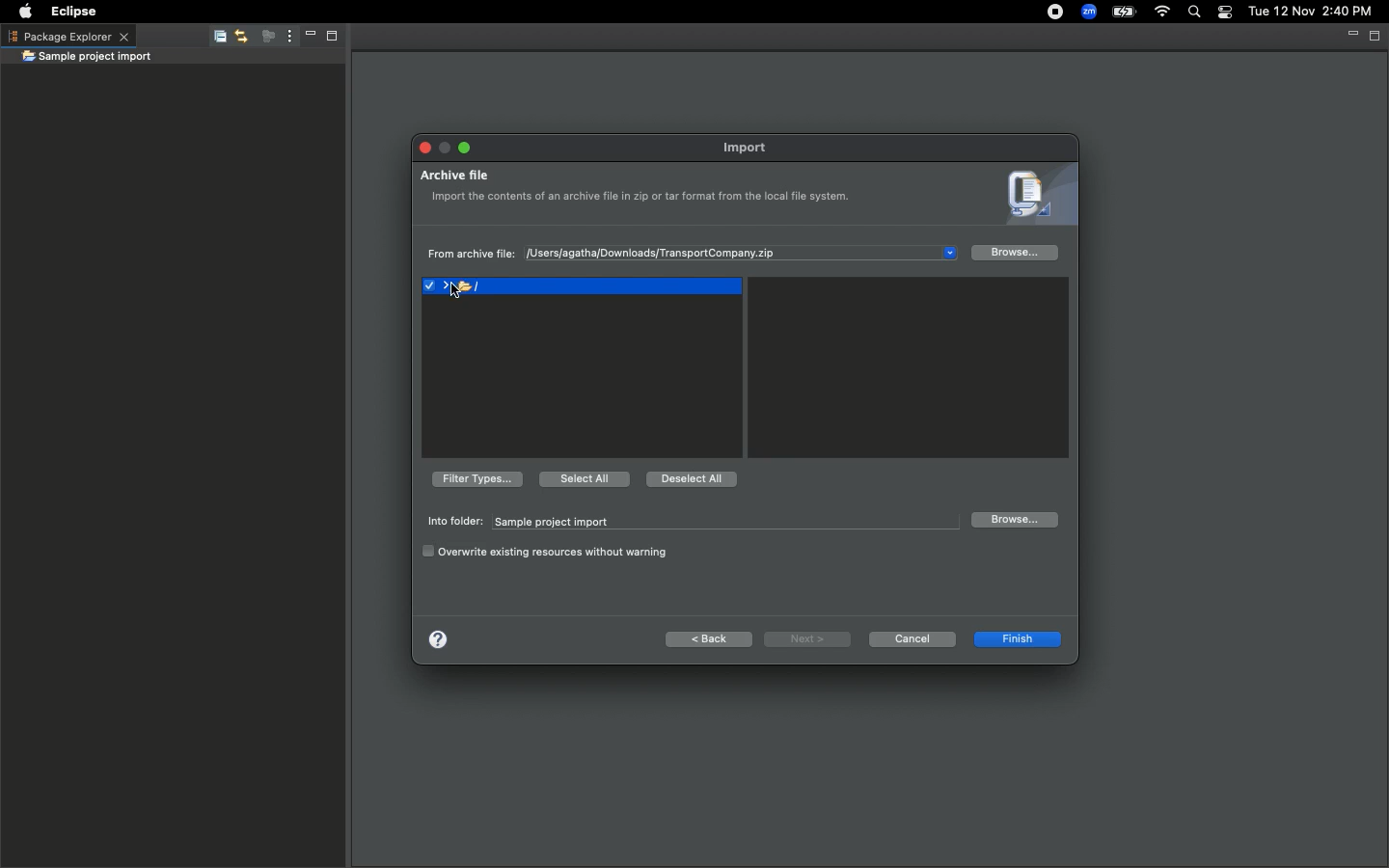 The width and height of the screenshot is (1389, 868). What do you see at coordinates (240, 38) in the screenshot?
I see `Link with editor` at bounding box center [240, 38].